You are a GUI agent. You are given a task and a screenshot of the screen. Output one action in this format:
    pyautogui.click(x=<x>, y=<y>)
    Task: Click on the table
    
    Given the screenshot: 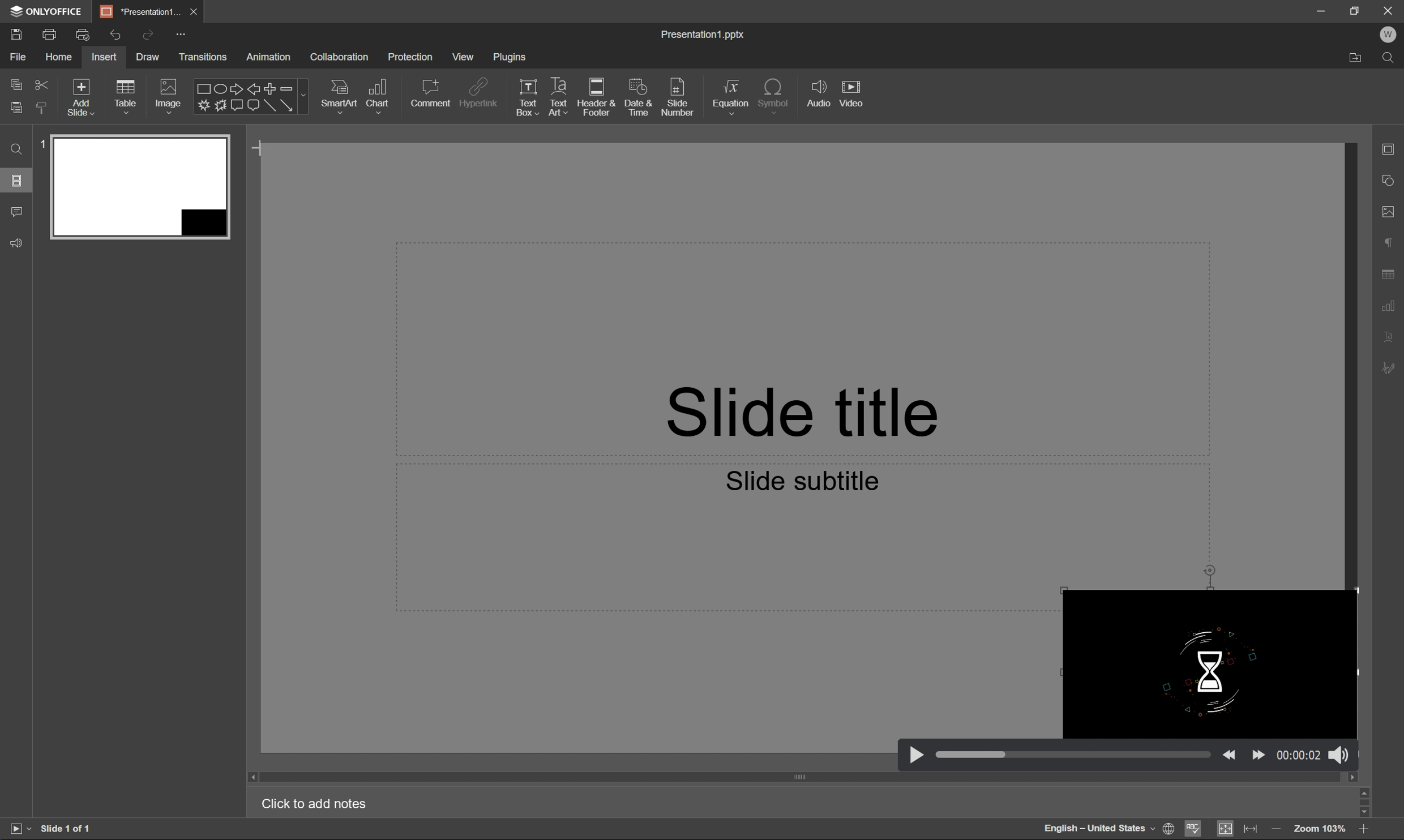 What is the action you would take?
    pyautogui.click(x=129, y=97)
    